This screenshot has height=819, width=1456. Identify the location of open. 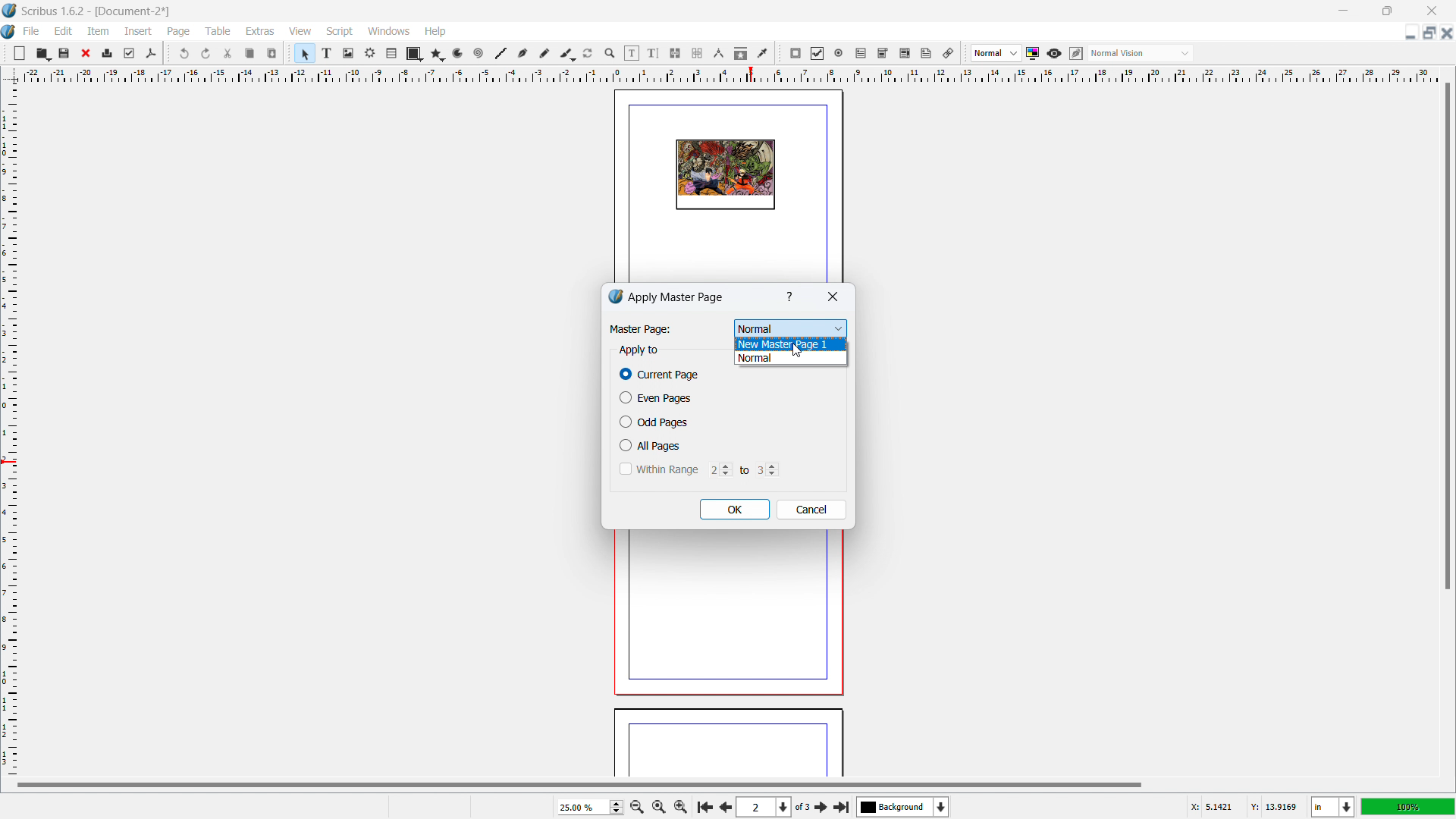
(42, 53).